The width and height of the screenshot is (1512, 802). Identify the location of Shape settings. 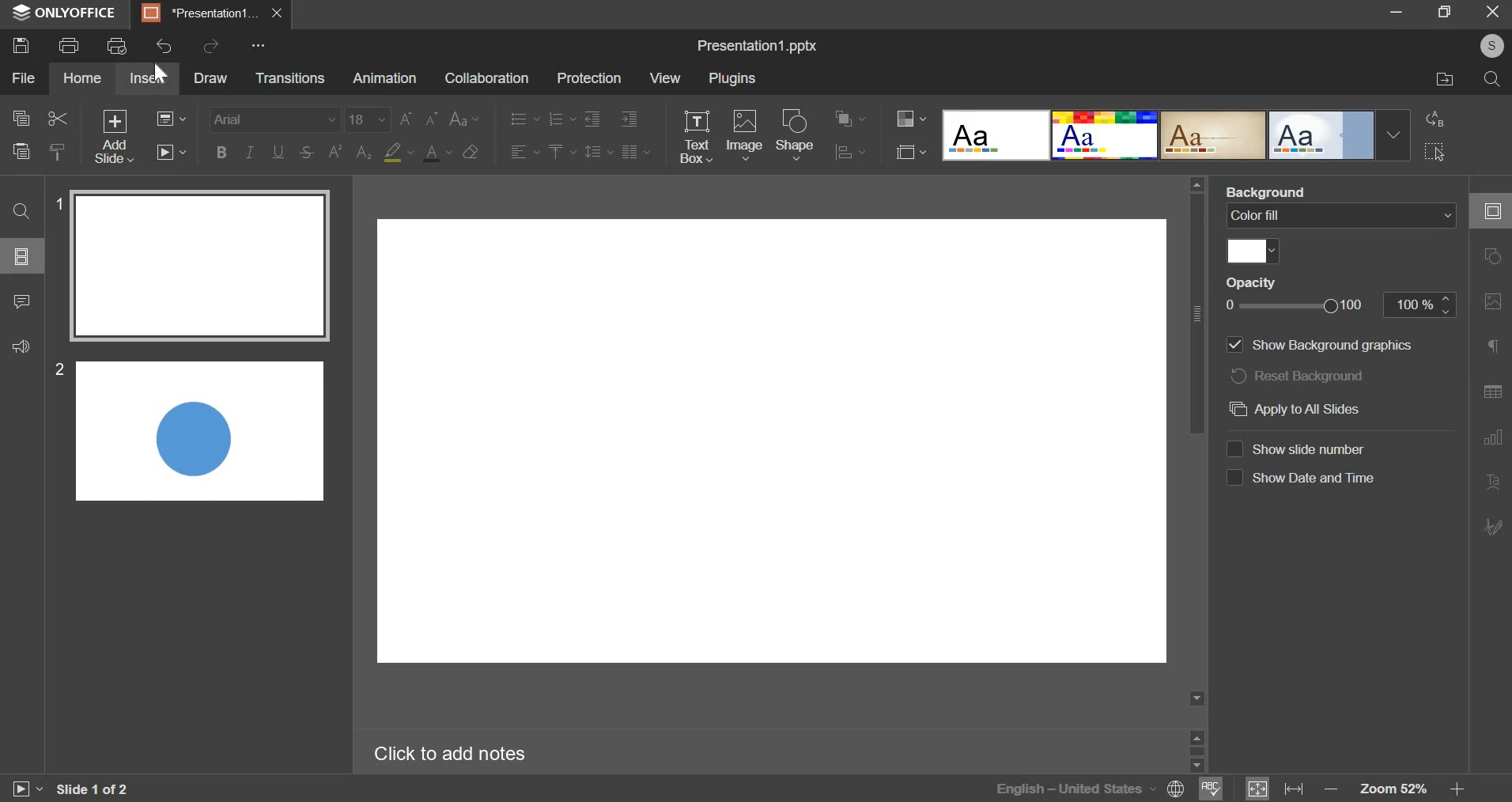
(1493, 255).